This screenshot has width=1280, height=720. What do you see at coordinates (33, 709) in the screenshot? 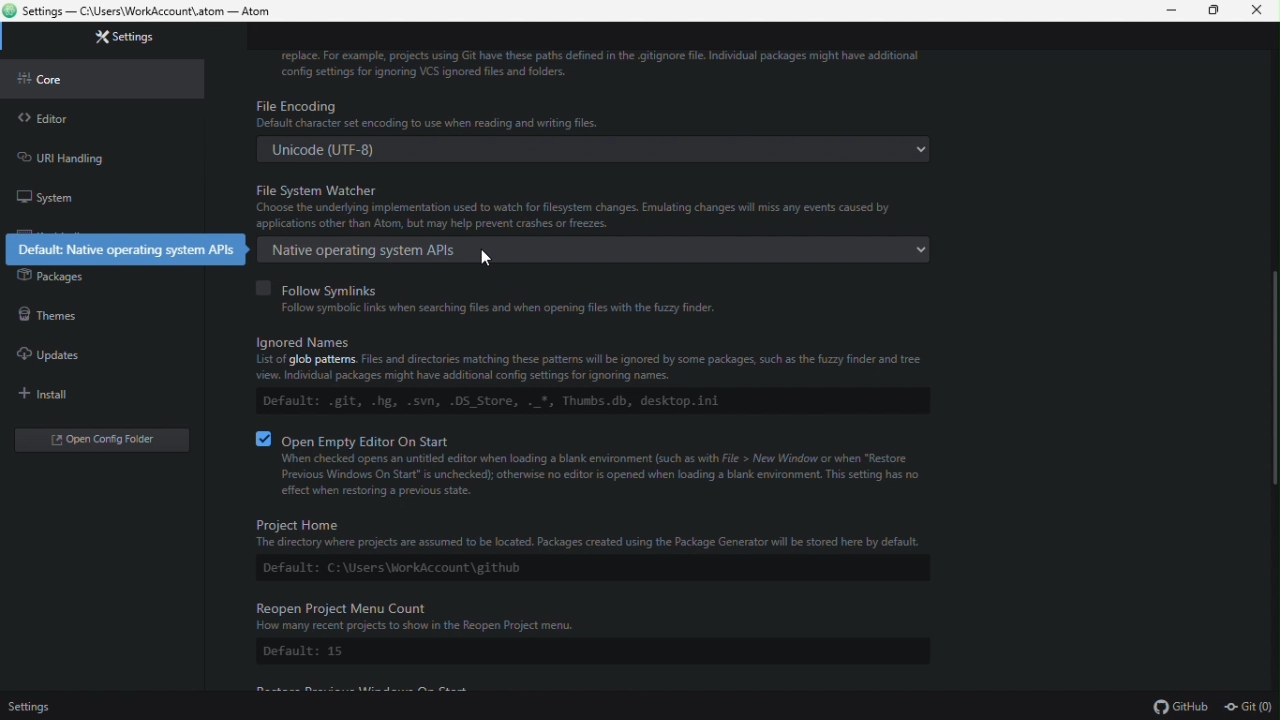
I see `Settings` at bounding box center [33, 709].